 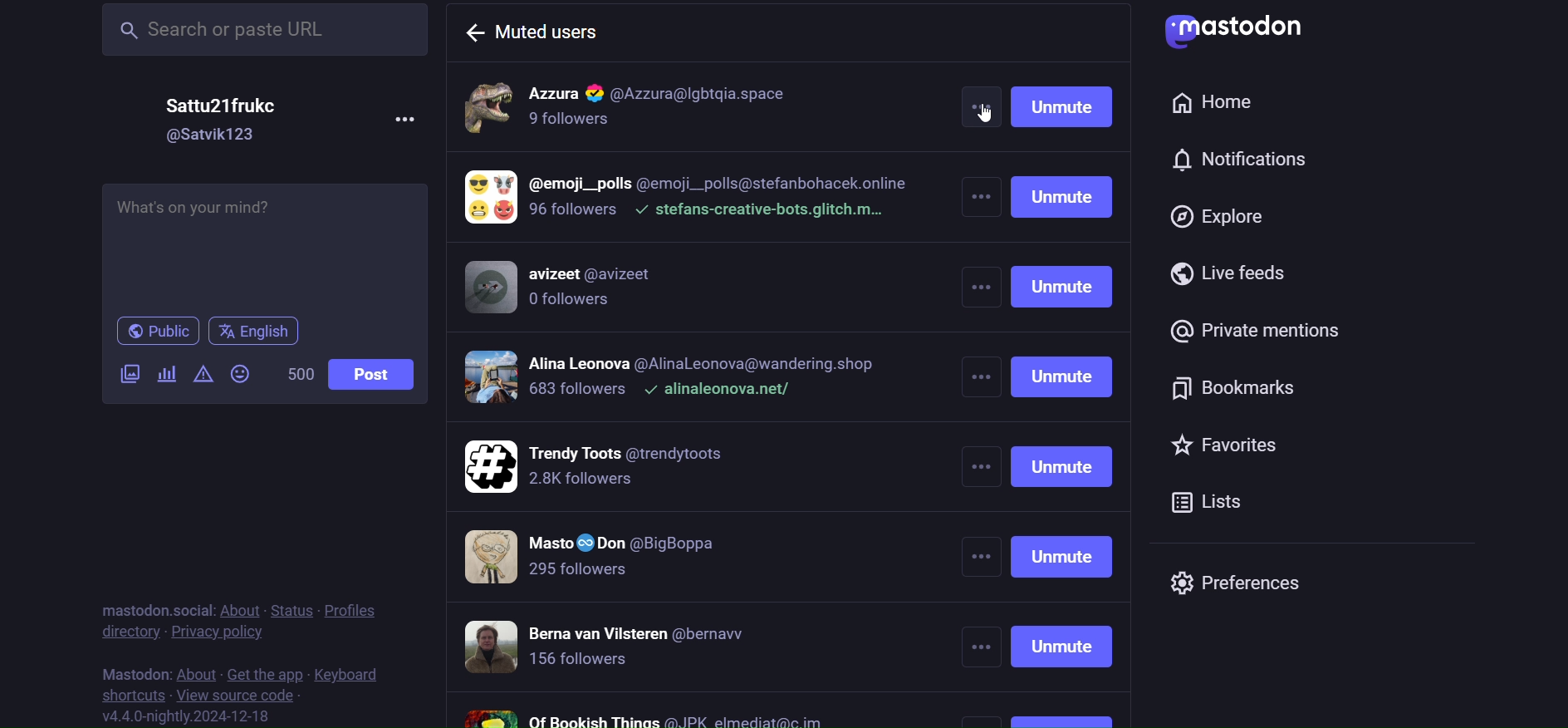 What do you see at coordinates (164, 372) in the screenshot?
I see `poll` at bounding box center [164, 372].